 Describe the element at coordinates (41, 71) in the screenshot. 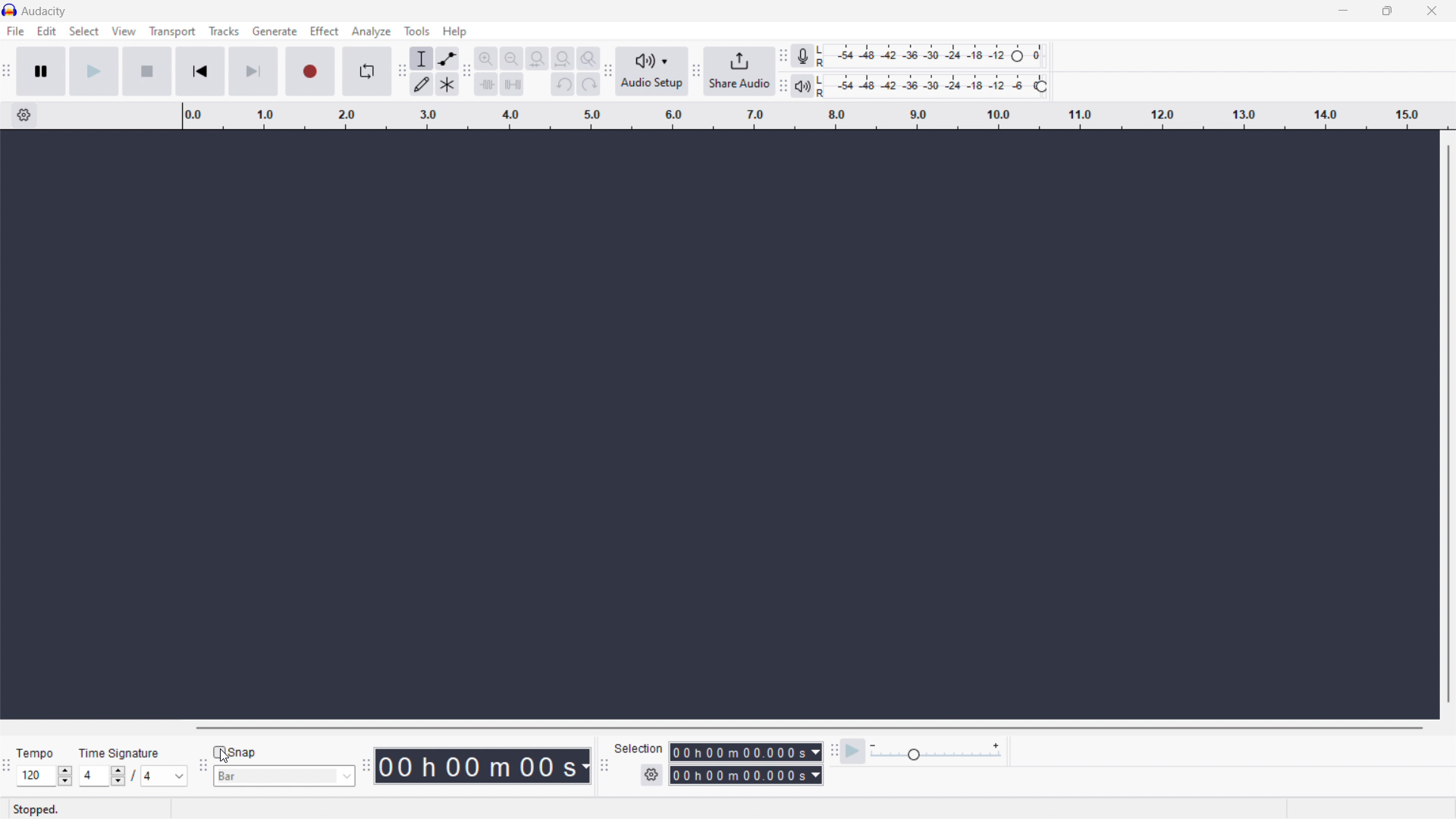

I see `pause` at that location.